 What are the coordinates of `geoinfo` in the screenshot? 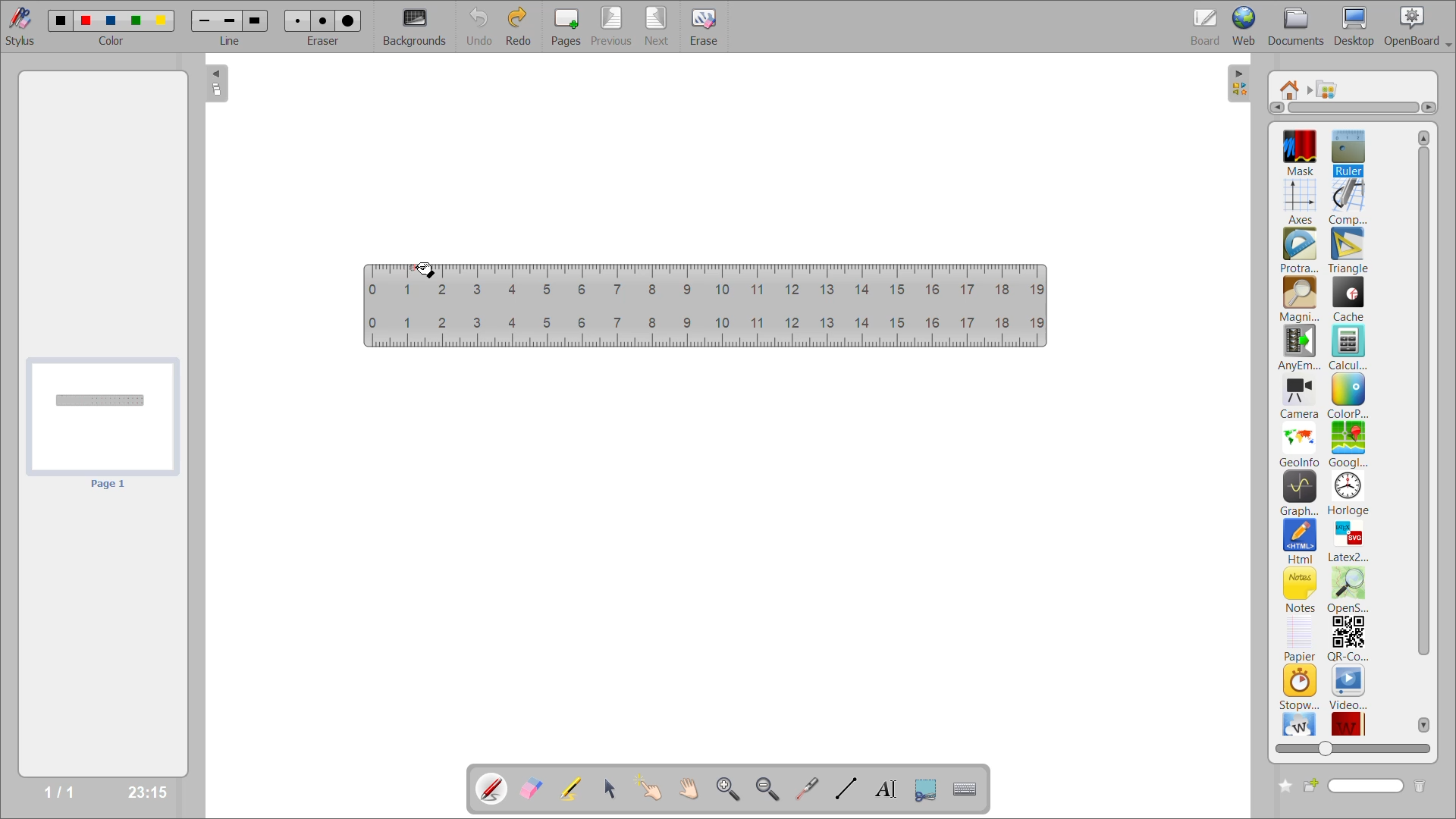 It's located at (1301, 444).